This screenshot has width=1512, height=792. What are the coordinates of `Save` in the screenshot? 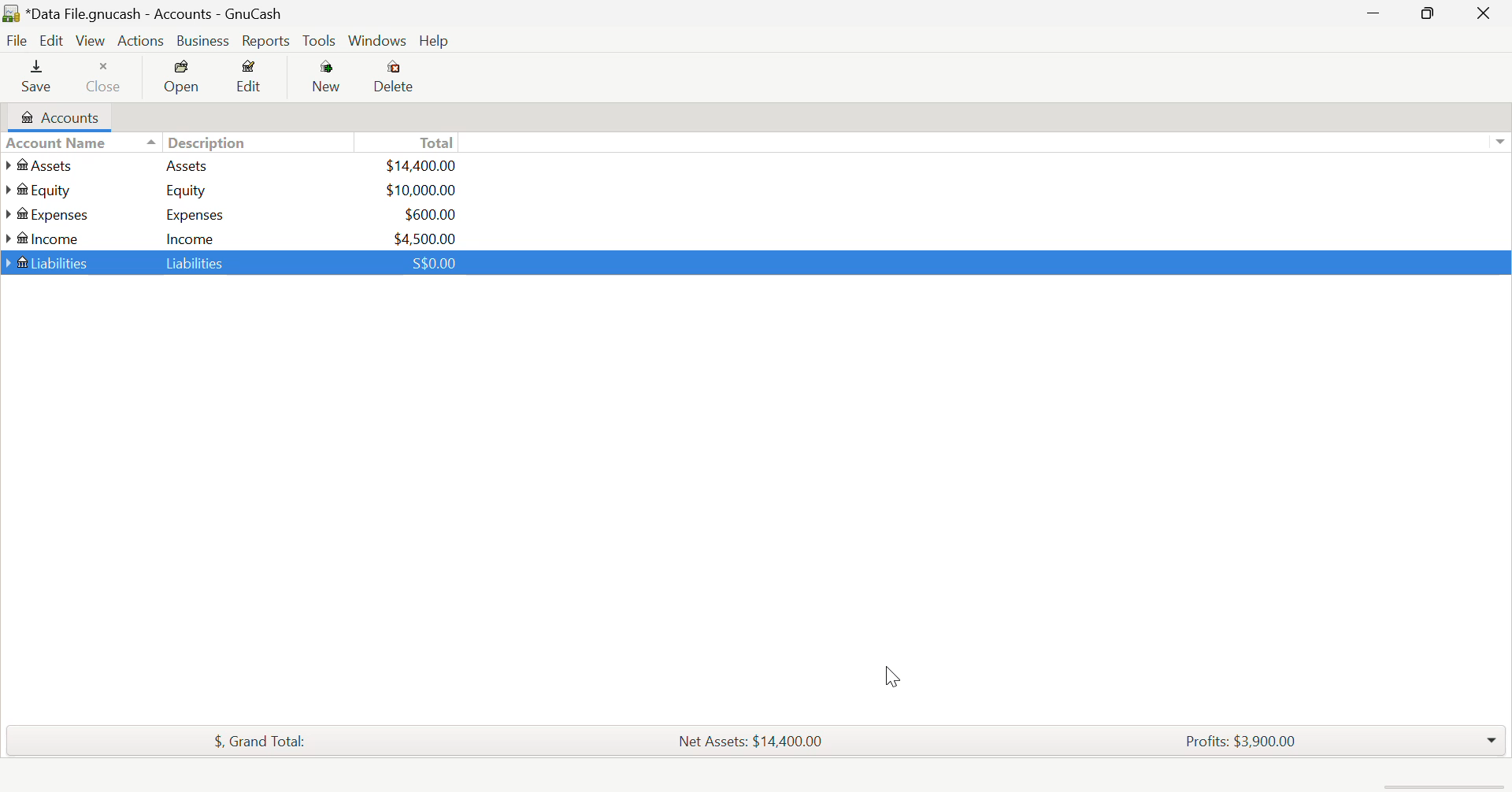 It's located at (30, 79).